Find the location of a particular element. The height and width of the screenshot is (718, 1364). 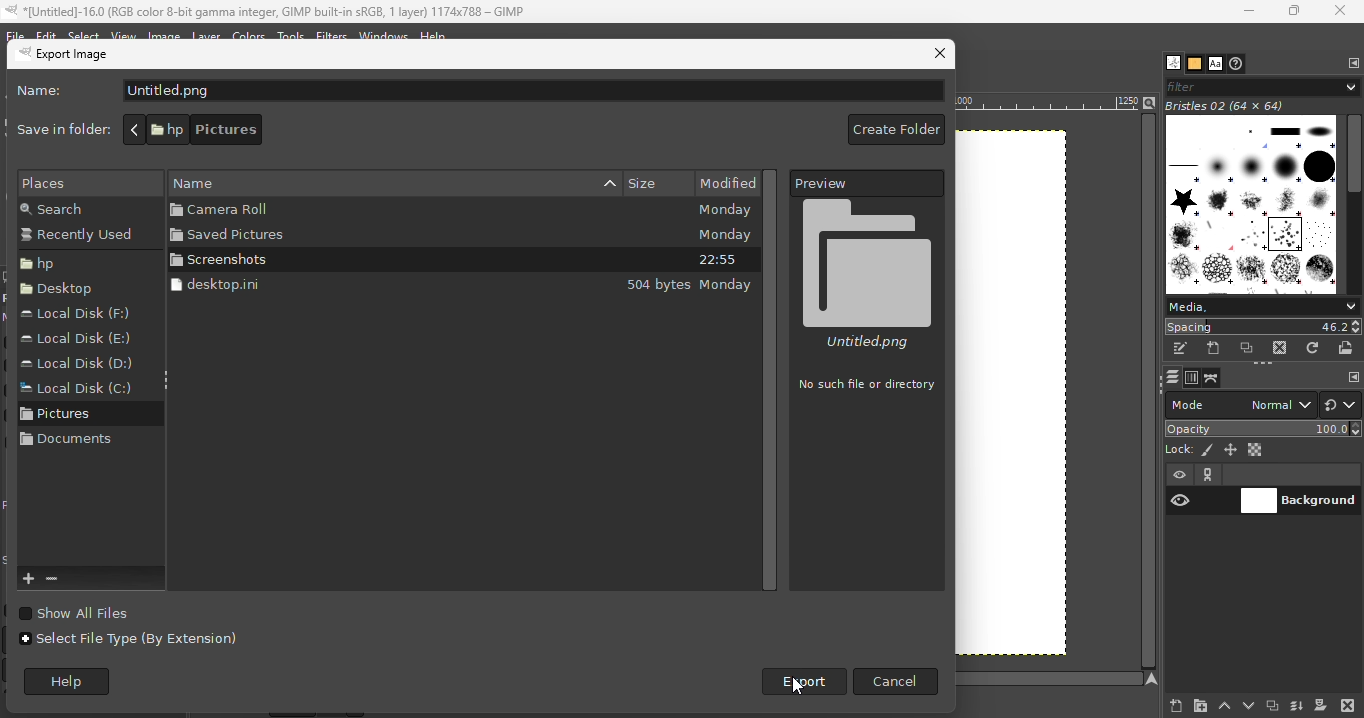

Local dsk (F:) is located at coordinates (82, 314).